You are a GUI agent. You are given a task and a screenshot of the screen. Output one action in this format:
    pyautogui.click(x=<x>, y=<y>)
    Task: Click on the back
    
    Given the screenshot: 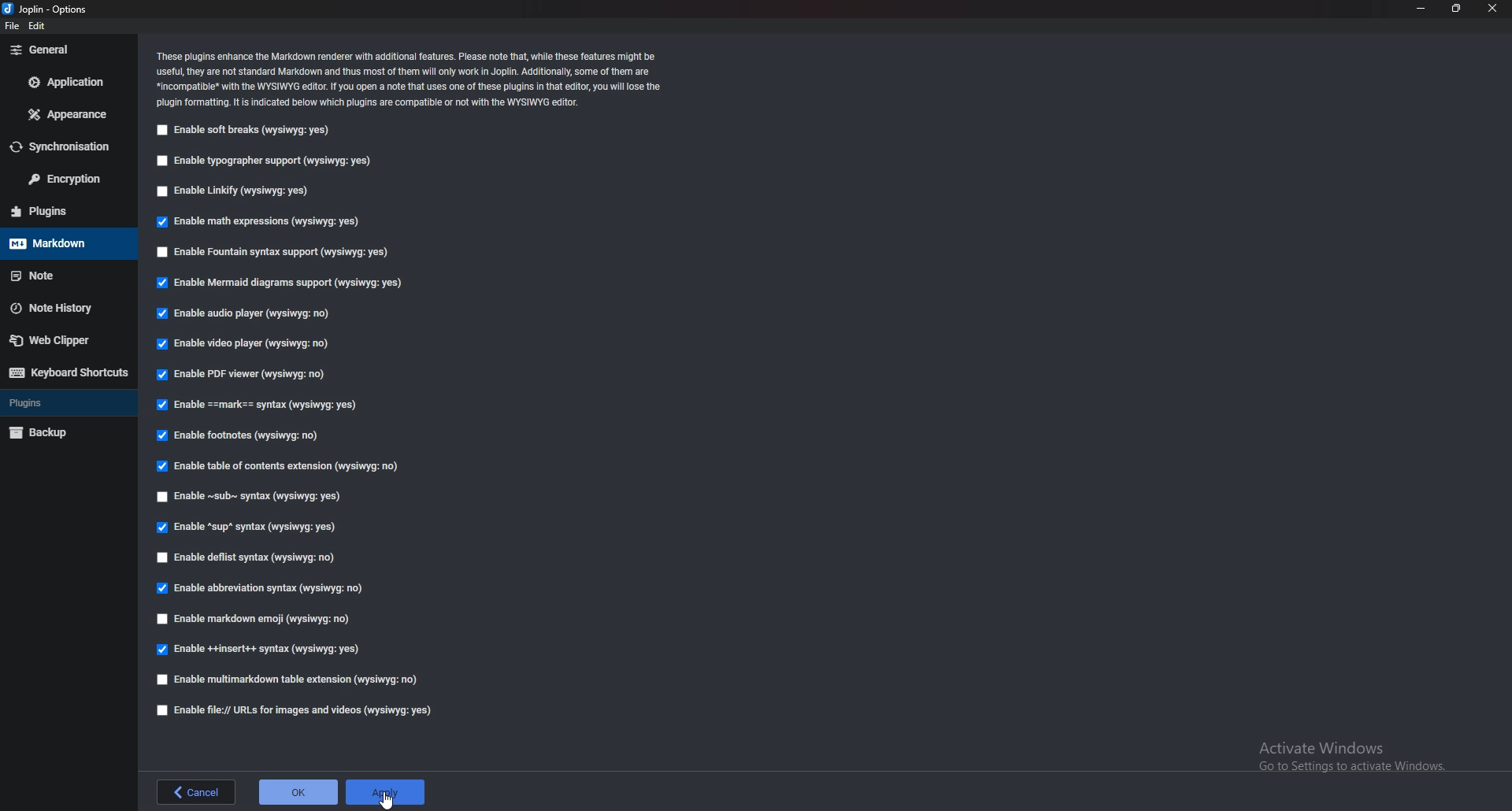 What is the action you would take?
    pyautogui.click(x=195, y=790)
    